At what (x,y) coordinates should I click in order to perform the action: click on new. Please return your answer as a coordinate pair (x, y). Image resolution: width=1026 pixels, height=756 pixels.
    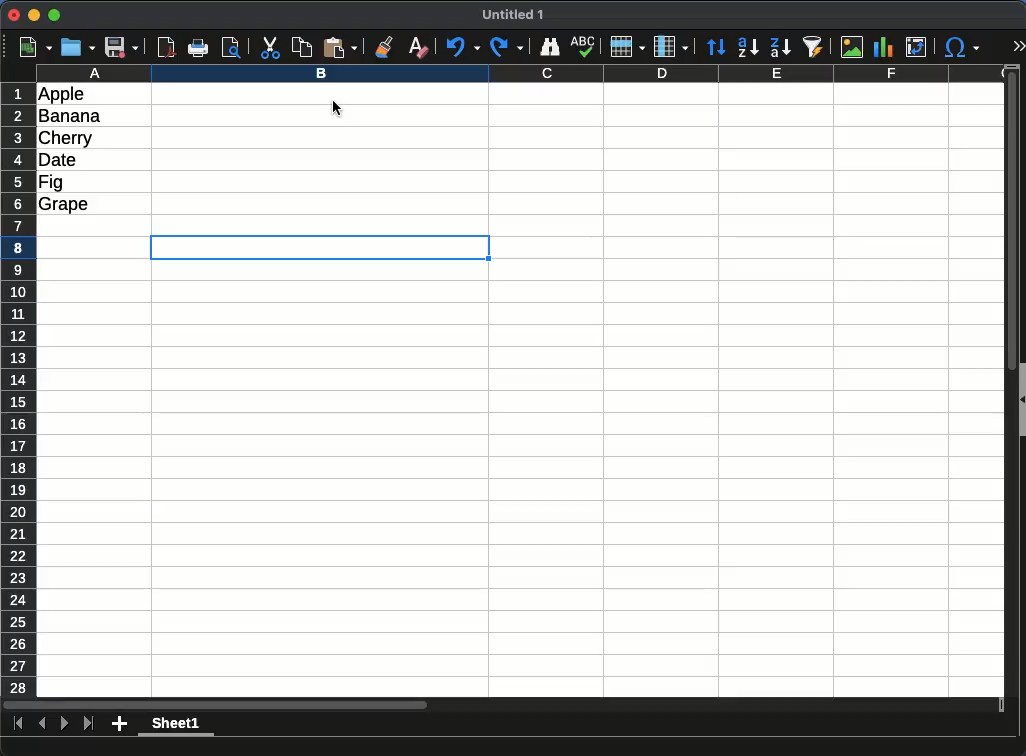
    Looking at the image, I should click on (36, 48).